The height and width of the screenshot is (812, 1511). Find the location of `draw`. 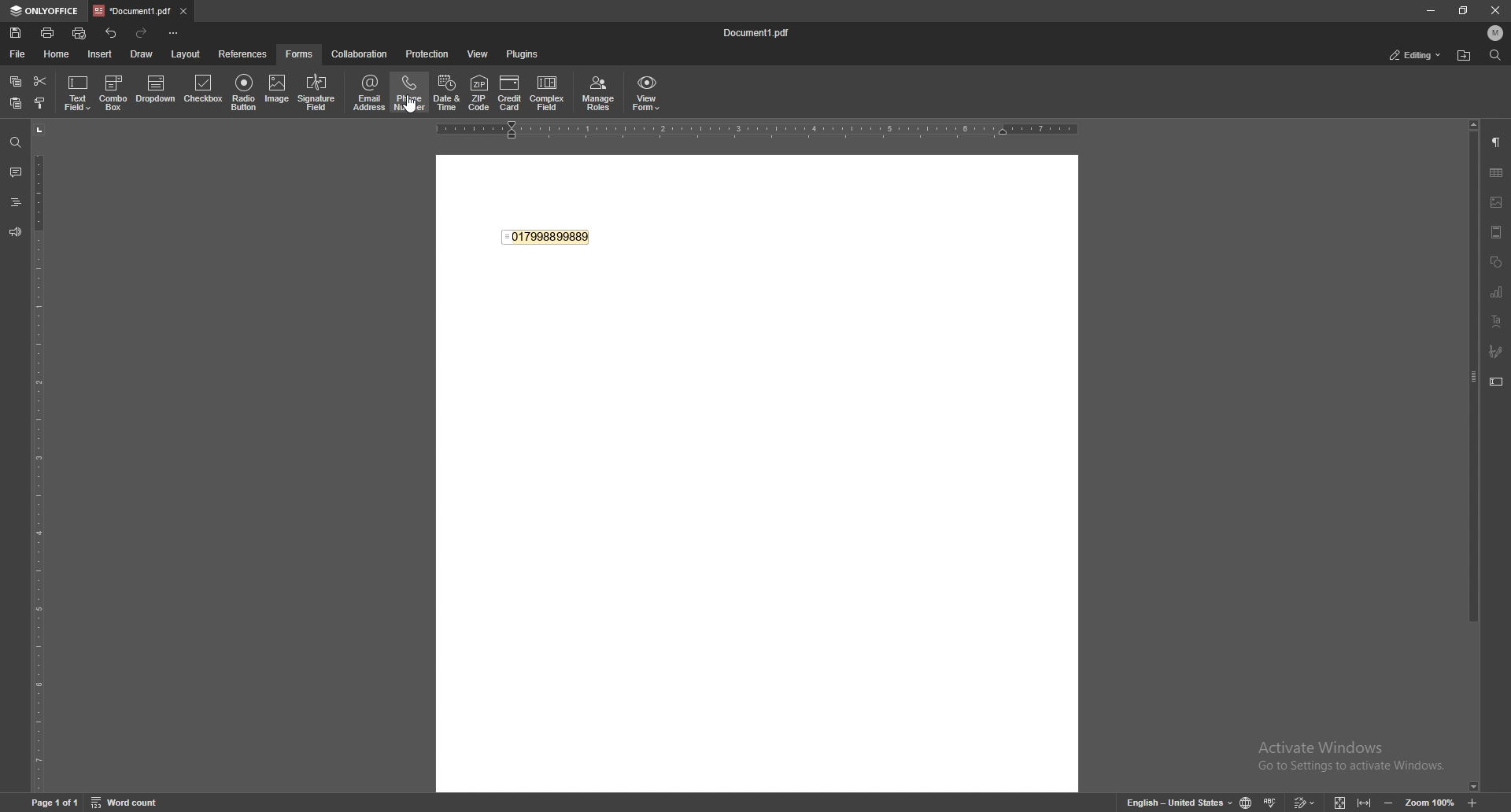

draw is located at coordinates (142, 54).